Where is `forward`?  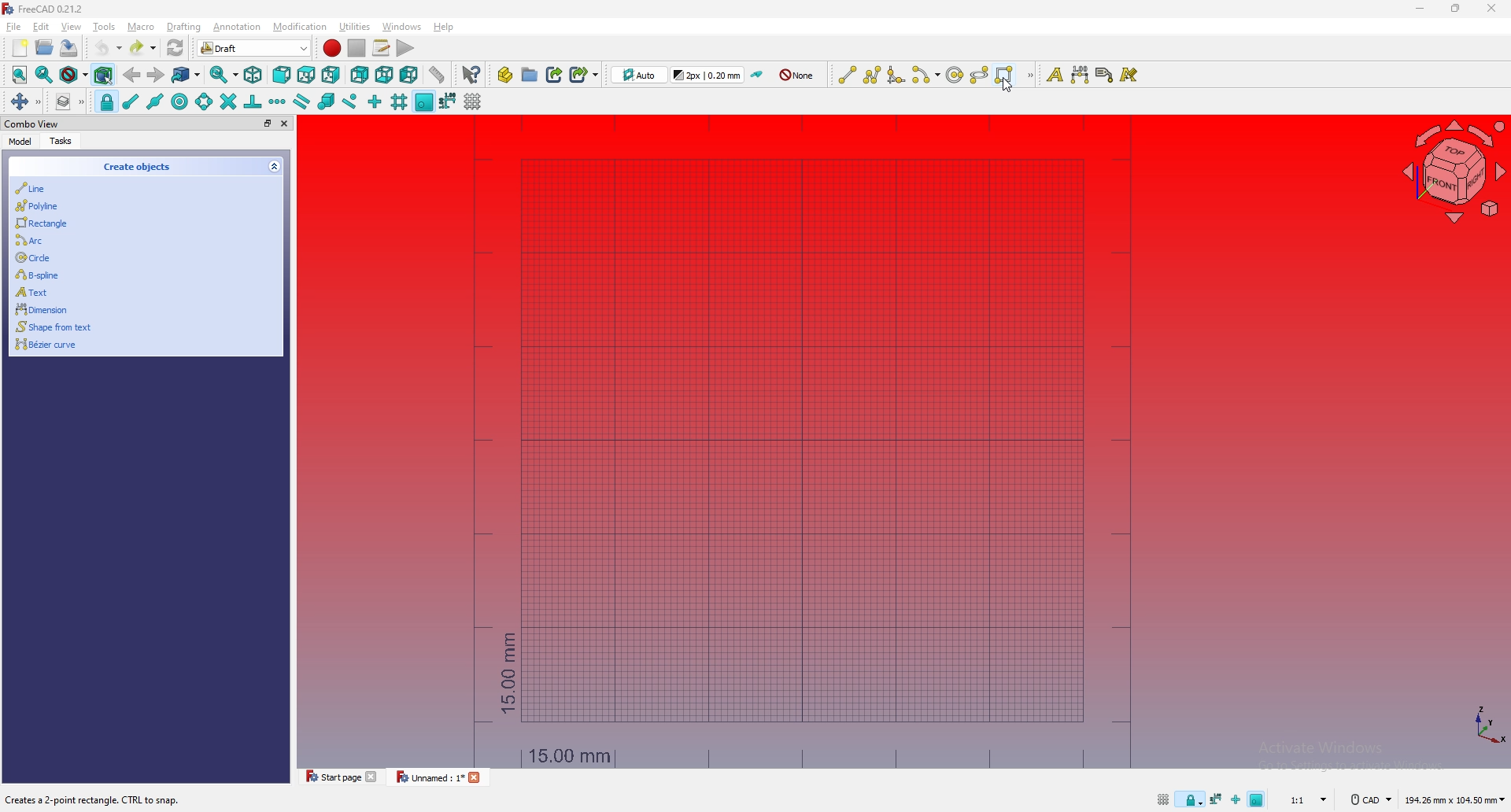
forward is located at coordinates (156, 75).